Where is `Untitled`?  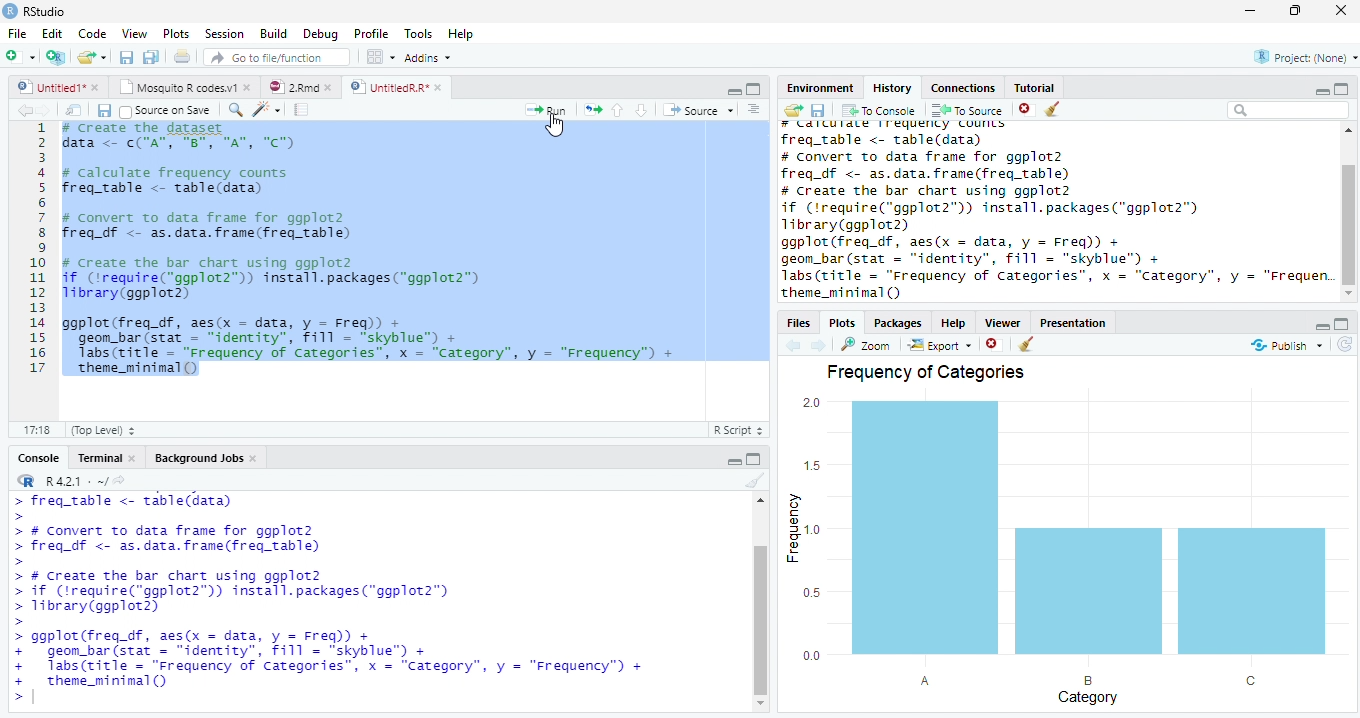 Untitled is located at coordinates (60, 88).